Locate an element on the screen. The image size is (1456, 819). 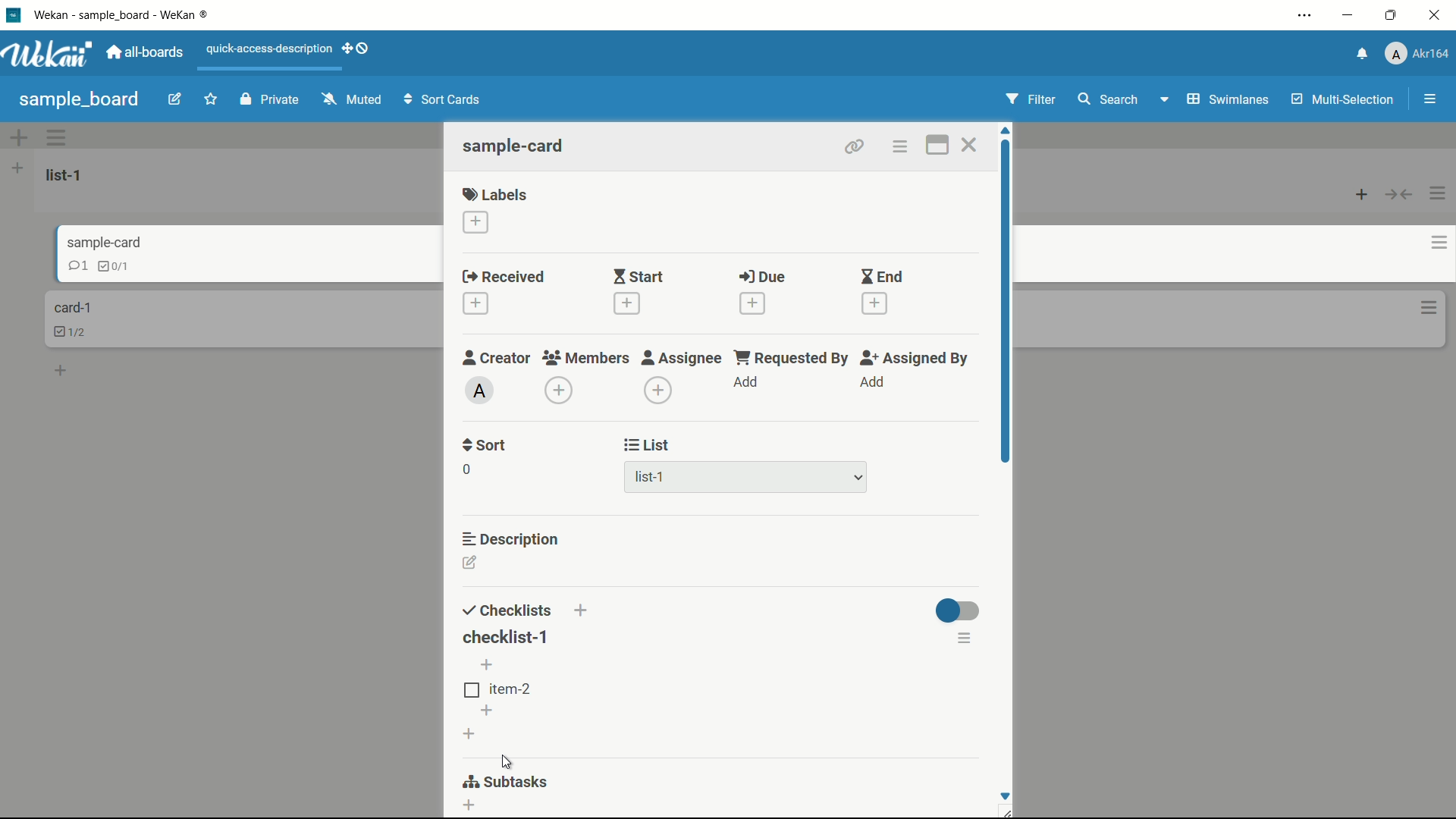
app icon is located at coordinates (15, 14).